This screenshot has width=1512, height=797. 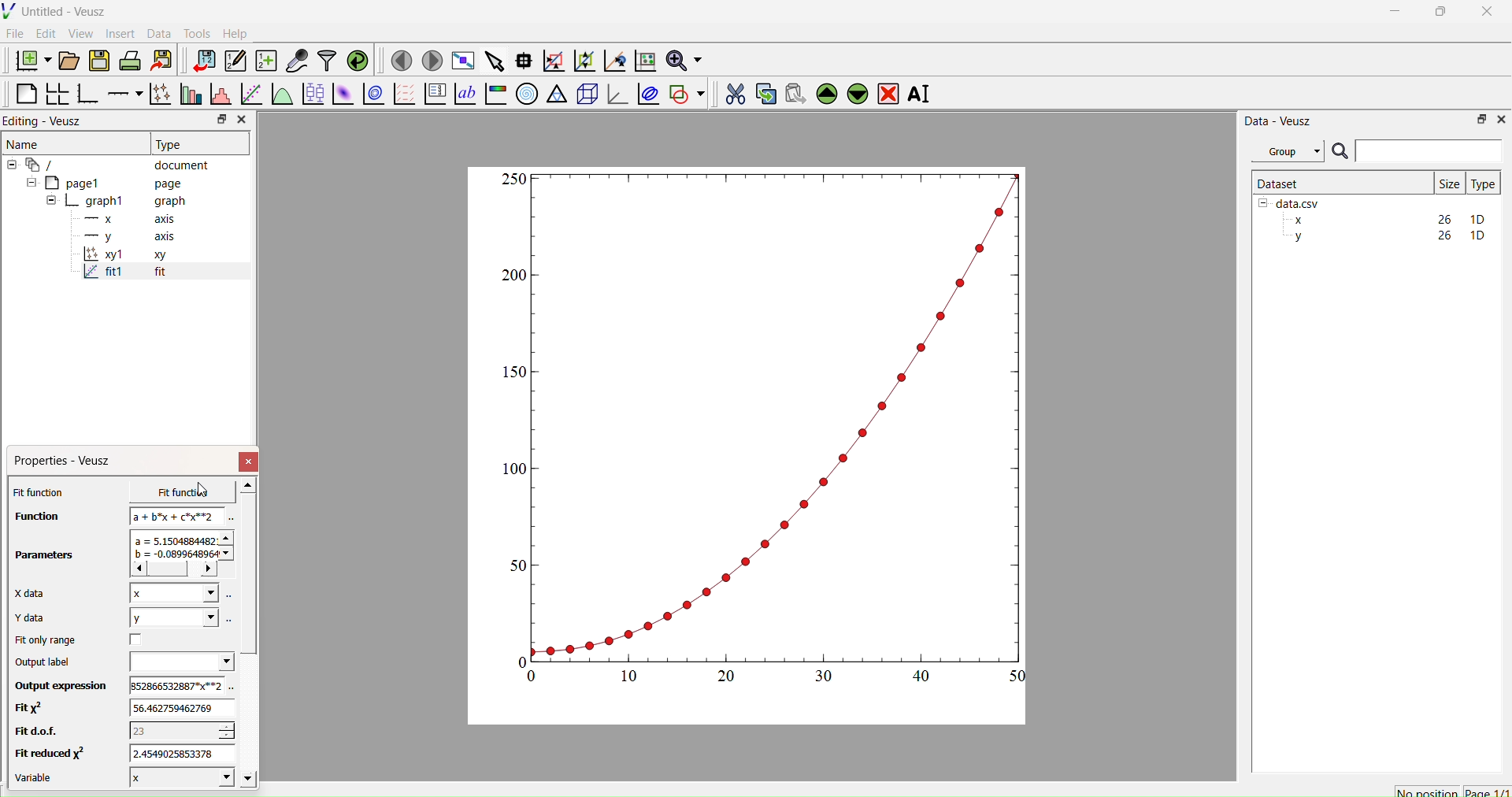 I want to click on Edit, so click(x=44, y=33).